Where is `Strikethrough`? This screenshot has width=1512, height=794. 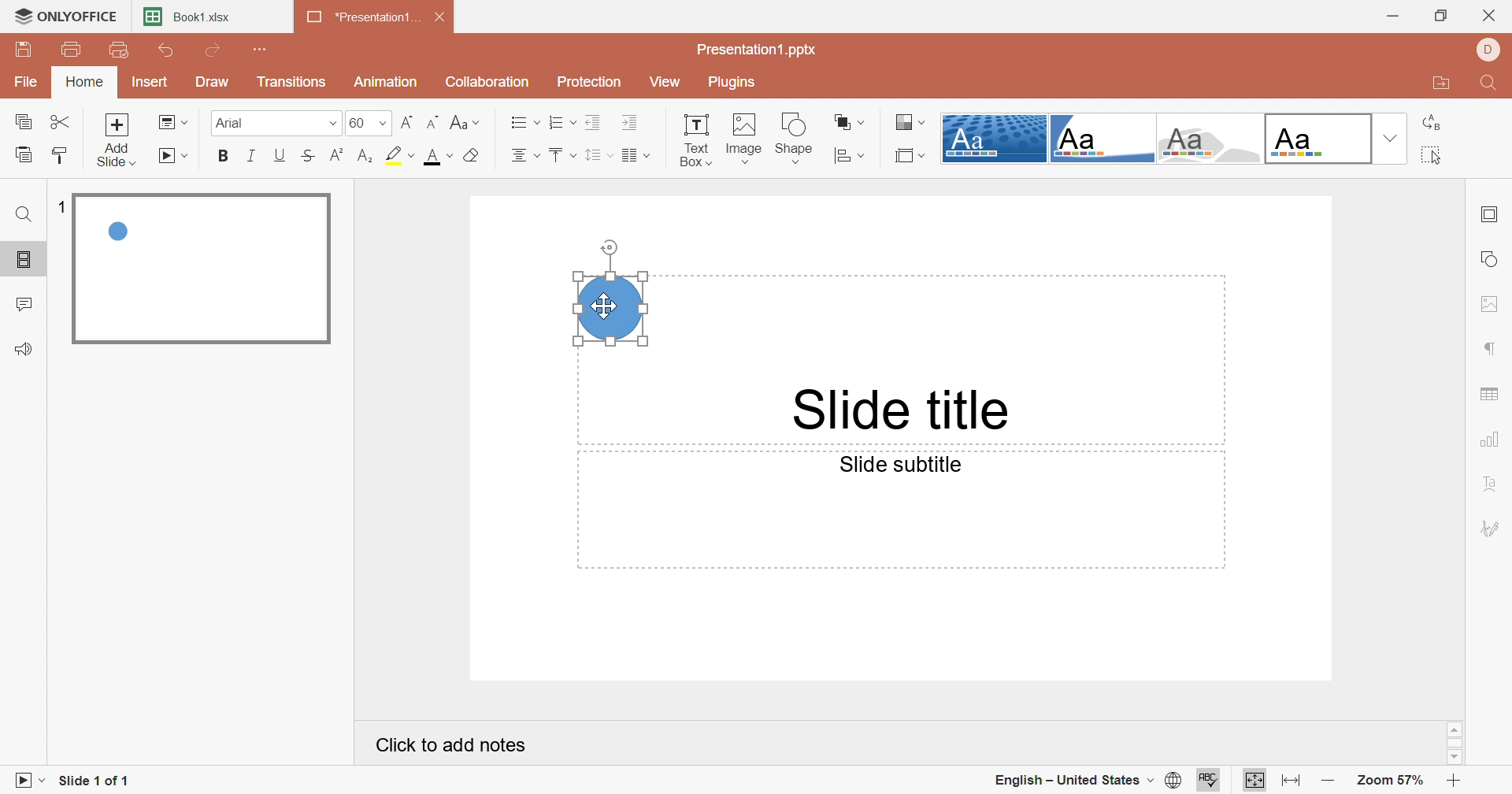 Strikethrough is located at coordinates (309, 154).